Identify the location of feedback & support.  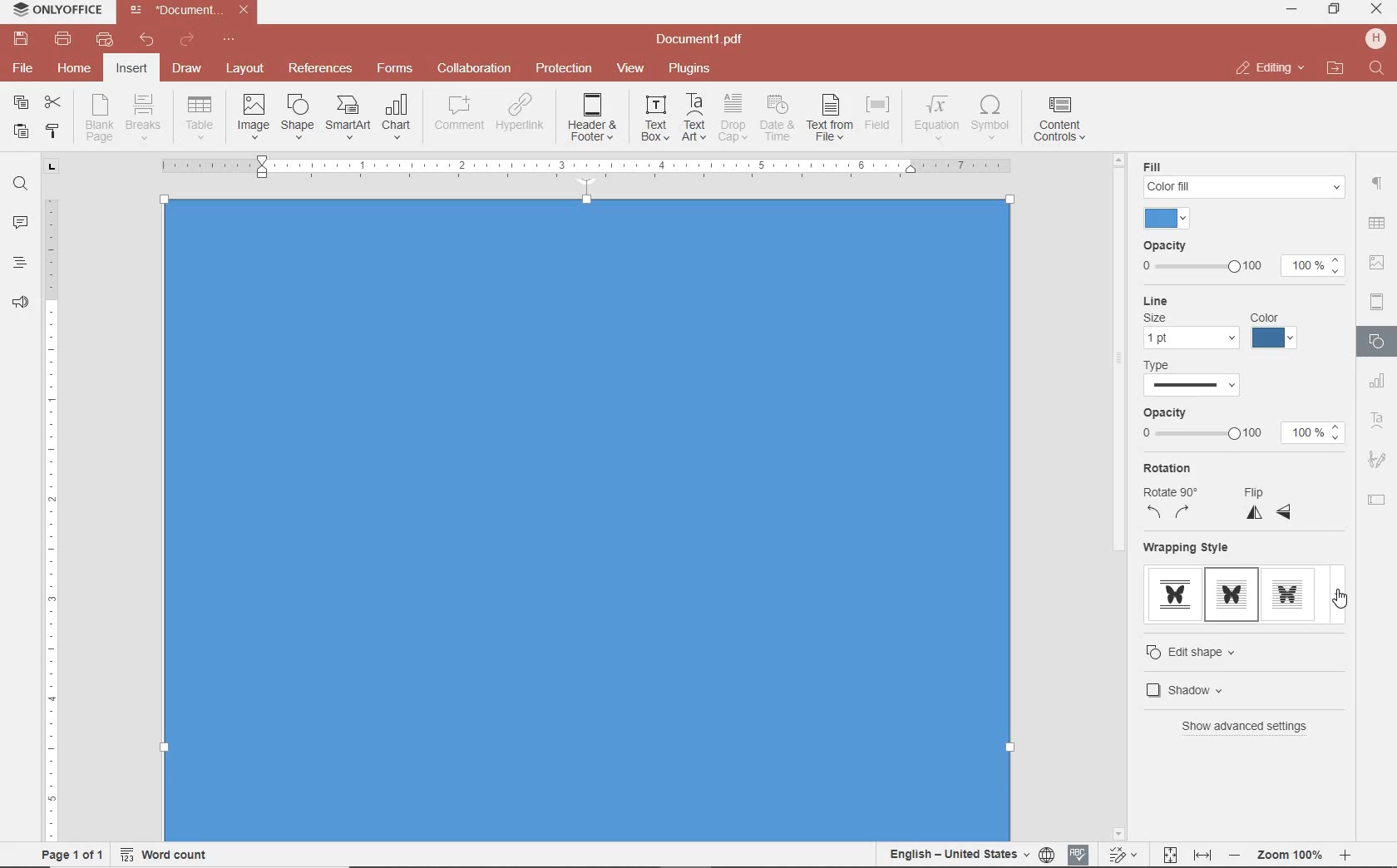
(21, 303).